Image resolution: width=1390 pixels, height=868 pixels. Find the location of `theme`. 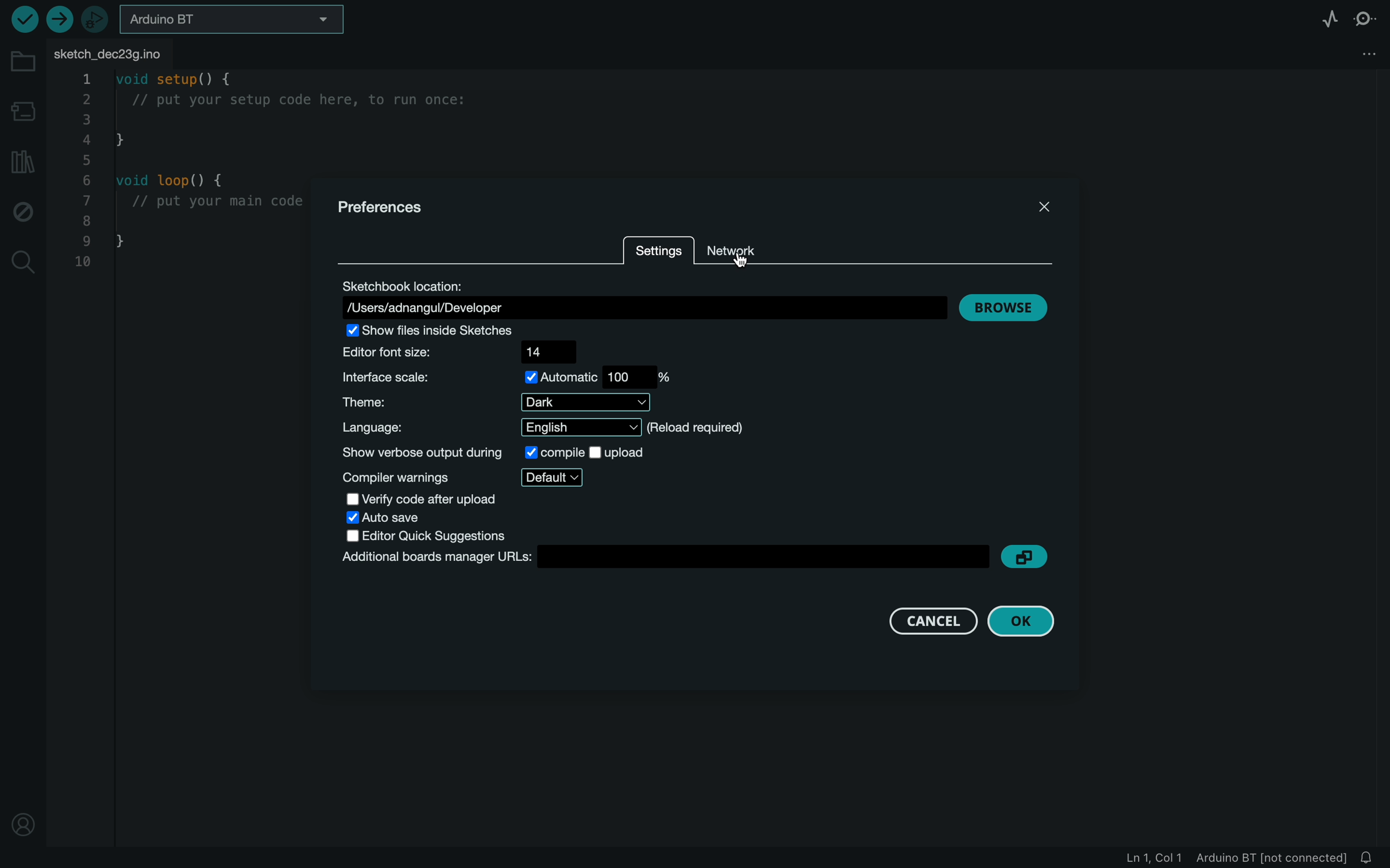

theme is located at coordinates (496, 402).